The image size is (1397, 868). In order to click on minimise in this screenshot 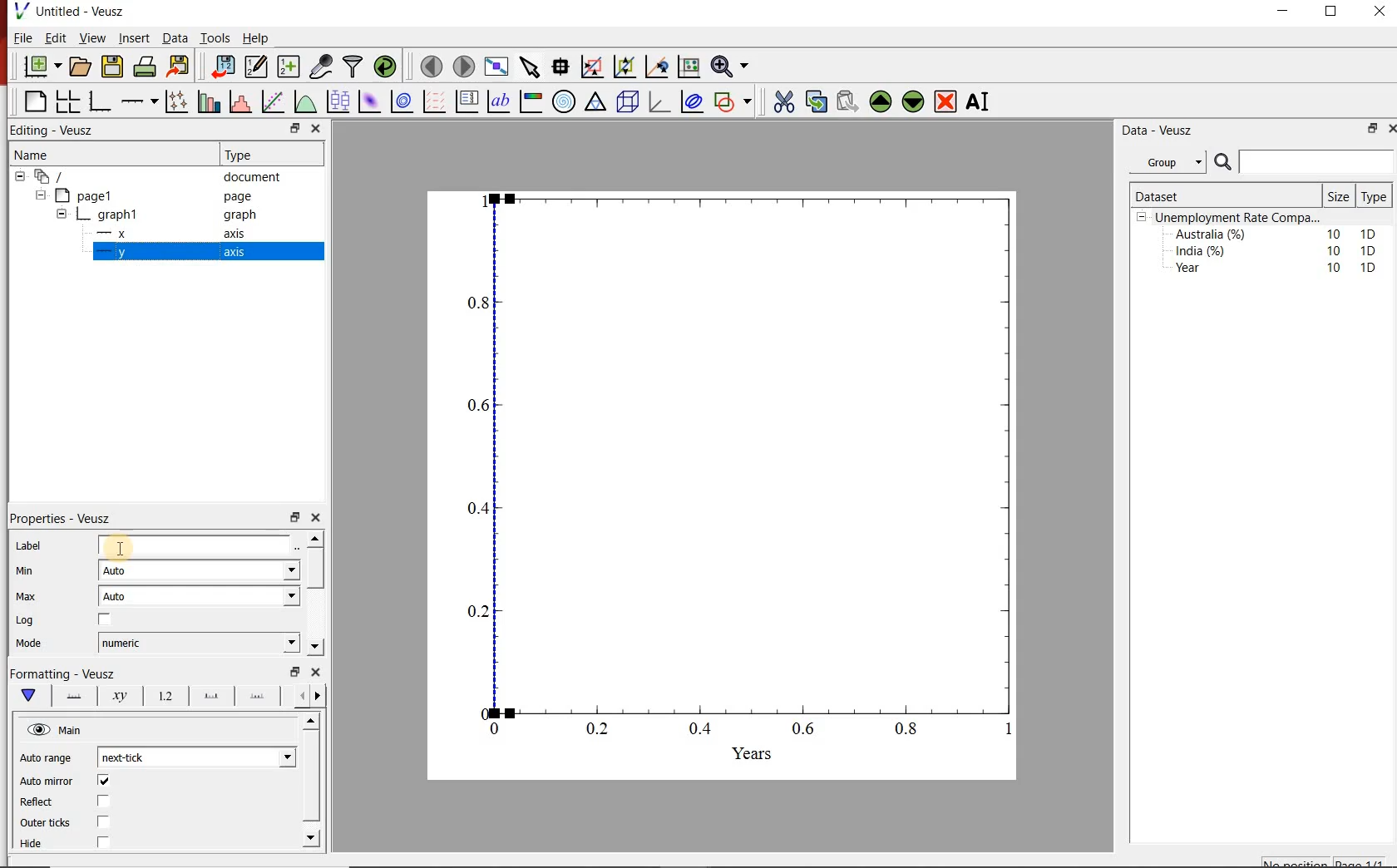, I will do `click(295, 670)`.